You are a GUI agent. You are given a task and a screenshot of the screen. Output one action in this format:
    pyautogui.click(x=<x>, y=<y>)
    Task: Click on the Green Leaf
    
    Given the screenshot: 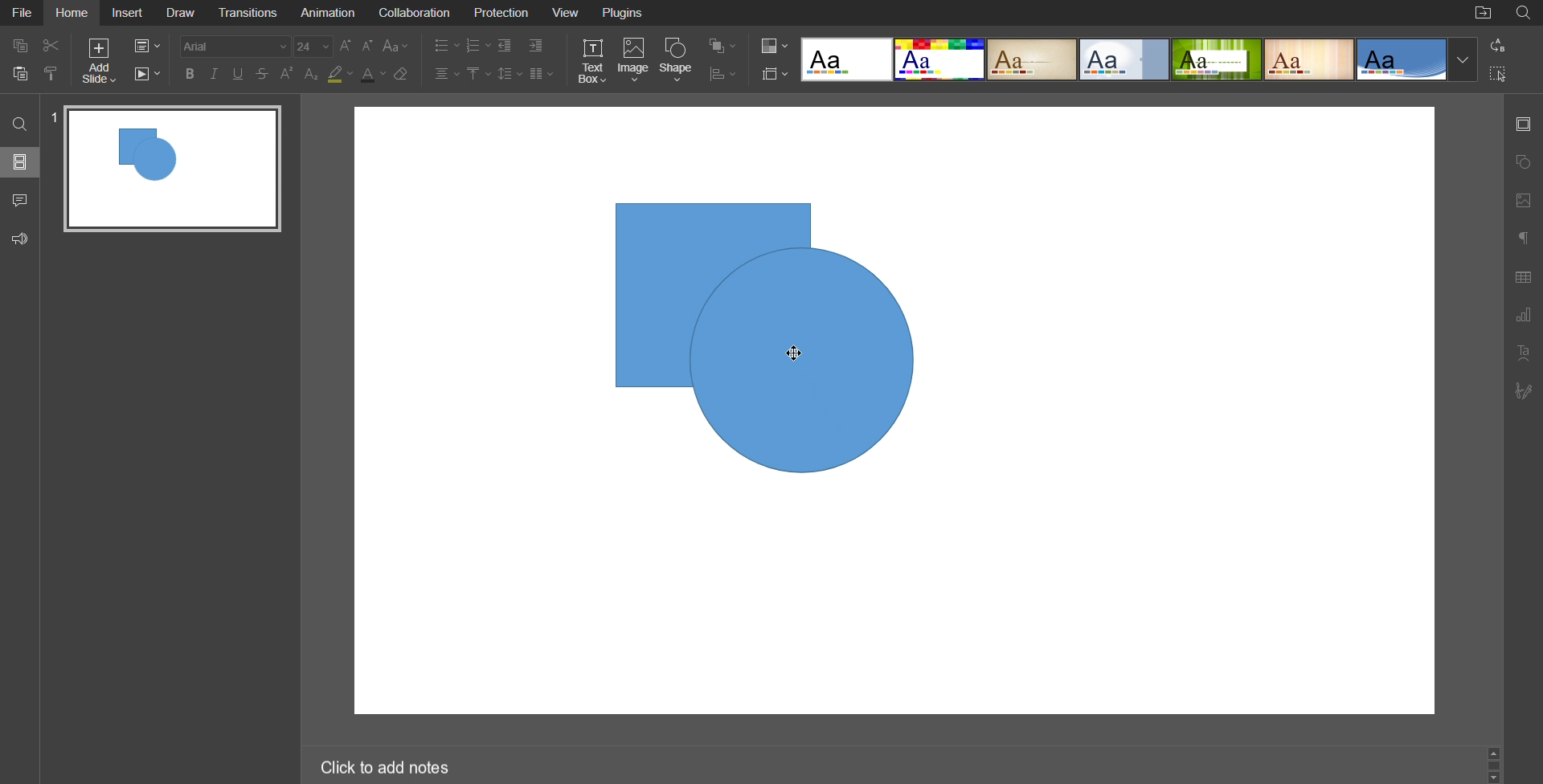 What is the action you would take?
    pyautogui.click(x=1216, y=59)
    